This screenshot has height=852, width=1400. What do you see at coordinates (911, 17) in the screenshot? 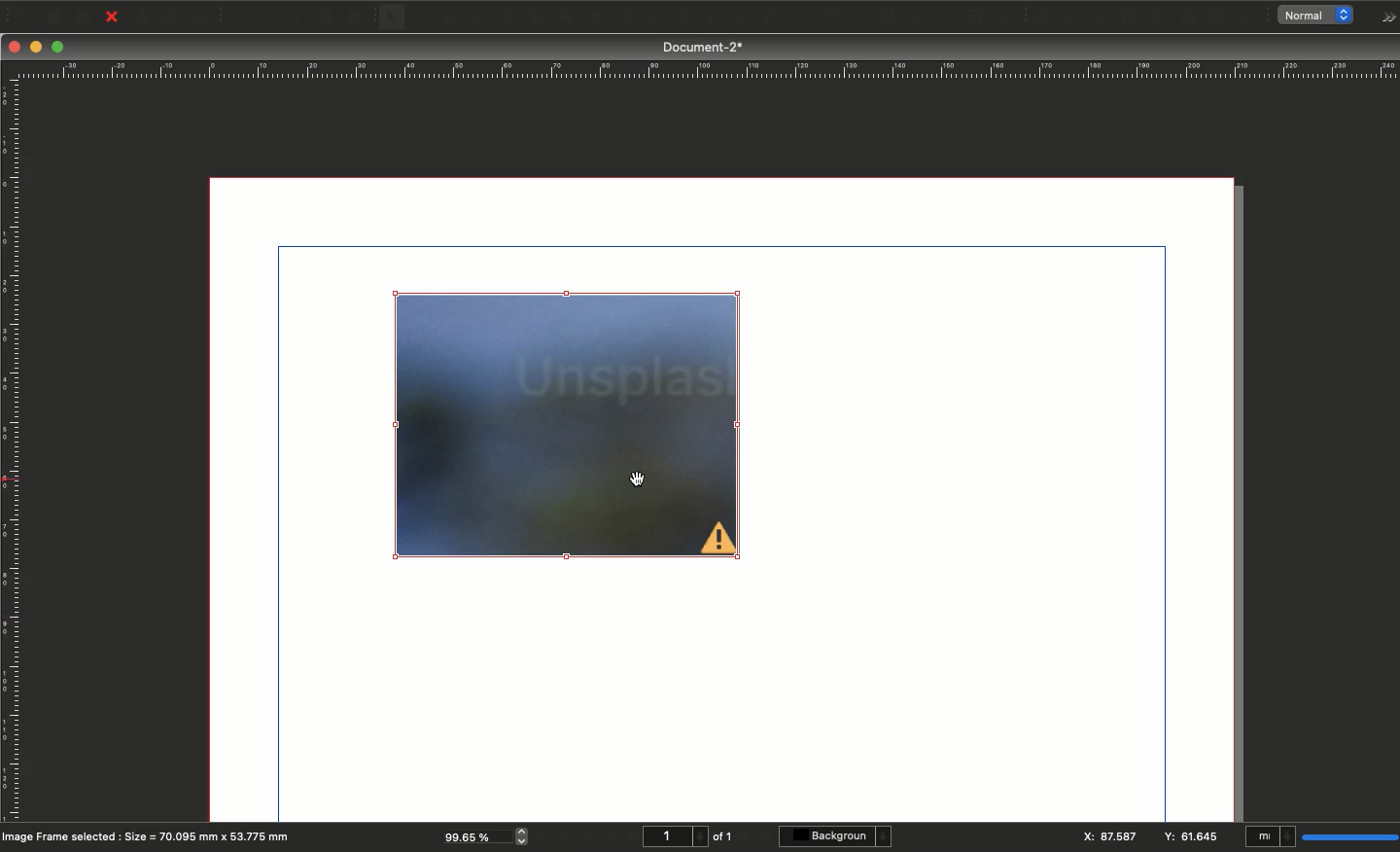
I see `Unlink text frames` at bounding box center [911, 17].